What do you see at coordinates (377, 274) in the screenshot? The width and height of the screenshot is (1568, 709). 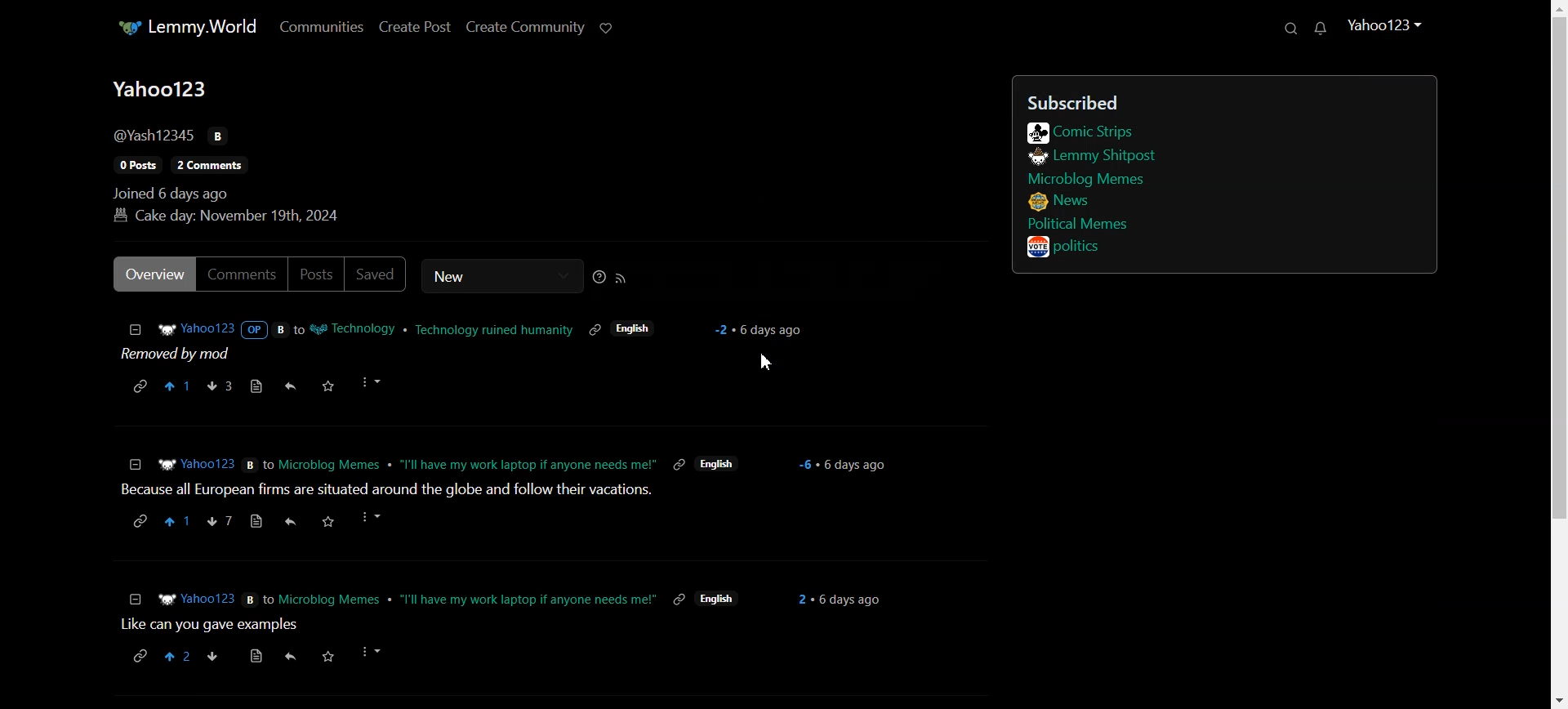 I see `Saved` at bounding box center [377, 274].